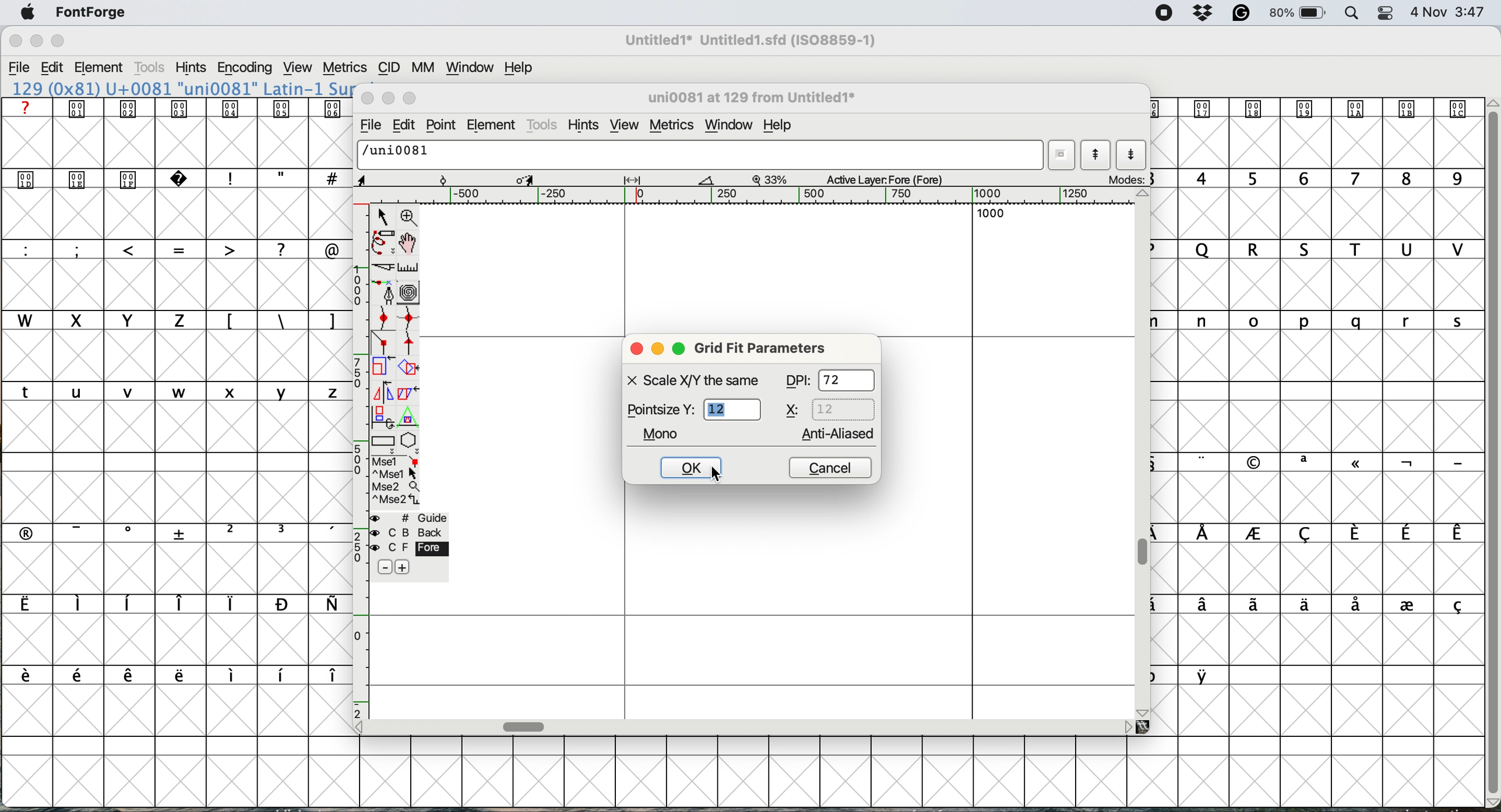  I want to click on stars and polygons, so click(411, 443).